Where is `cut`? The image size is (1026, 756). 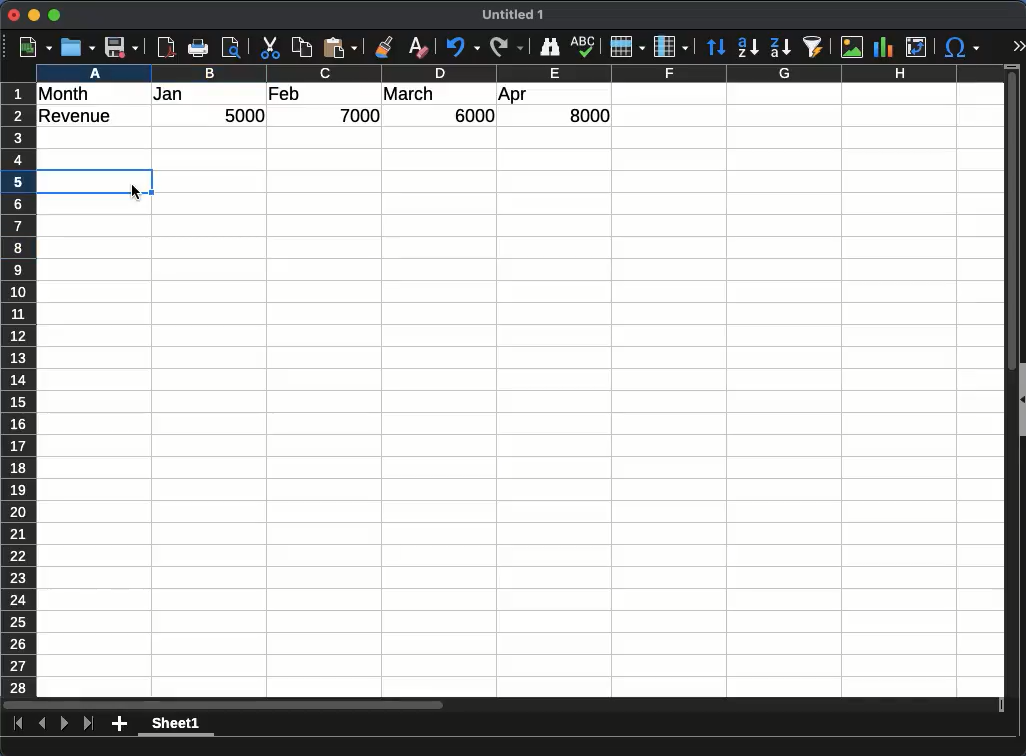 cut is located at coordinates (270, 47).